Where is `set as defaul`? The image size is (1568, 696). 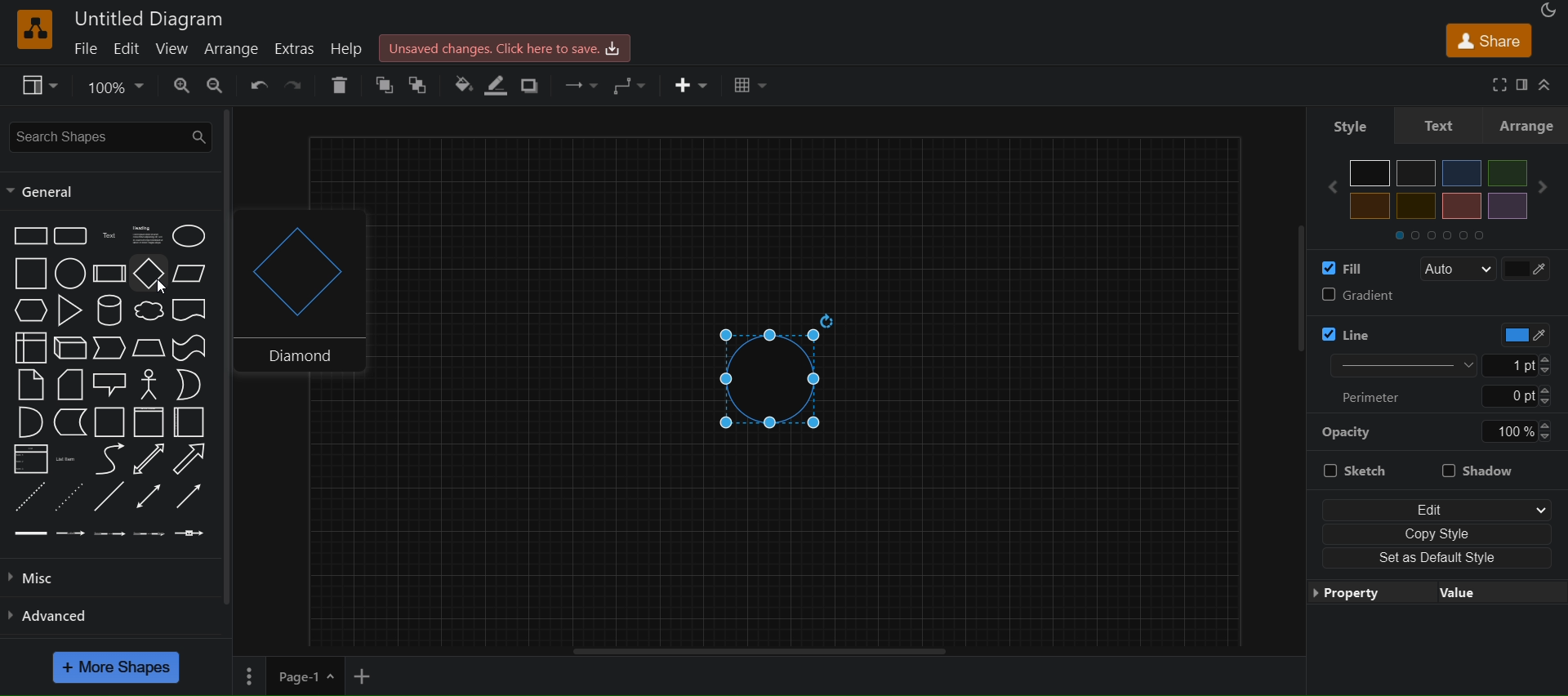 set as defaul is located at coordinates (1436, 555).